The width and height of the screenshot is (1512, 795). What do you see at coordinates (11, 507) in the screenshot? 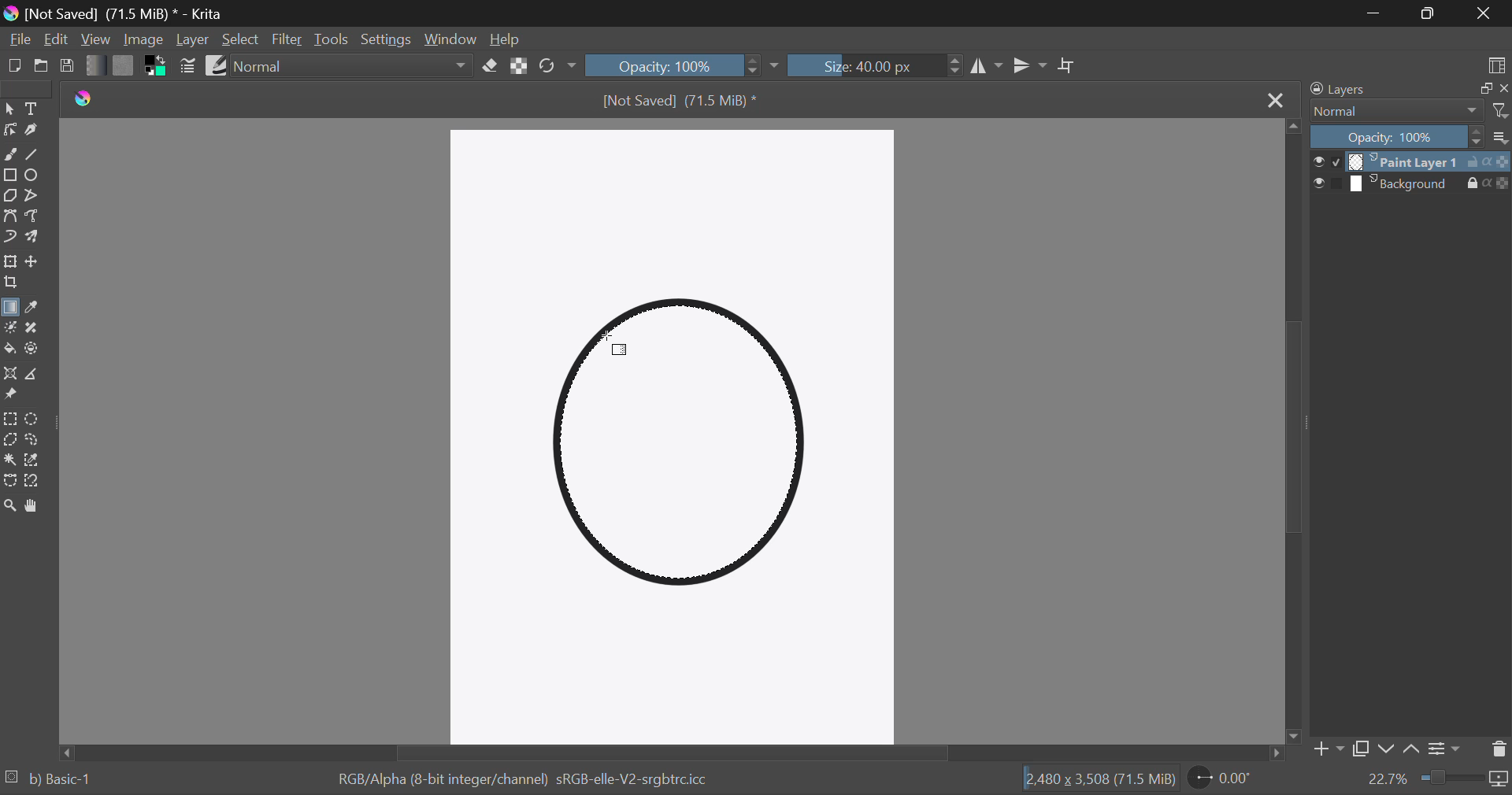
I see `Zoom` at bounding box center [11, 507].